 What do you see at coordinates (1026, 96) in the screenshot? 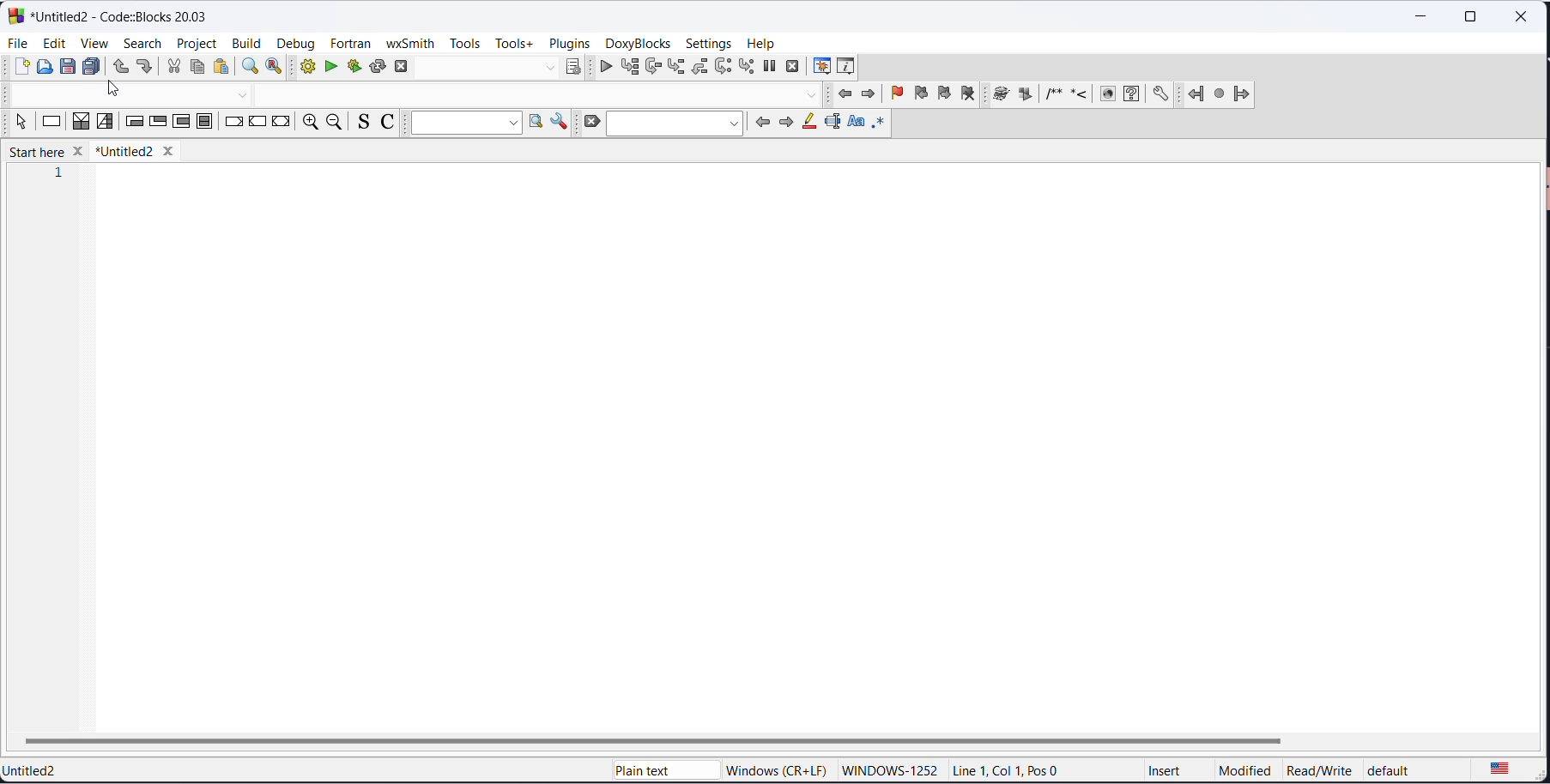
I see `extract` at bounding box center [1026, 96].